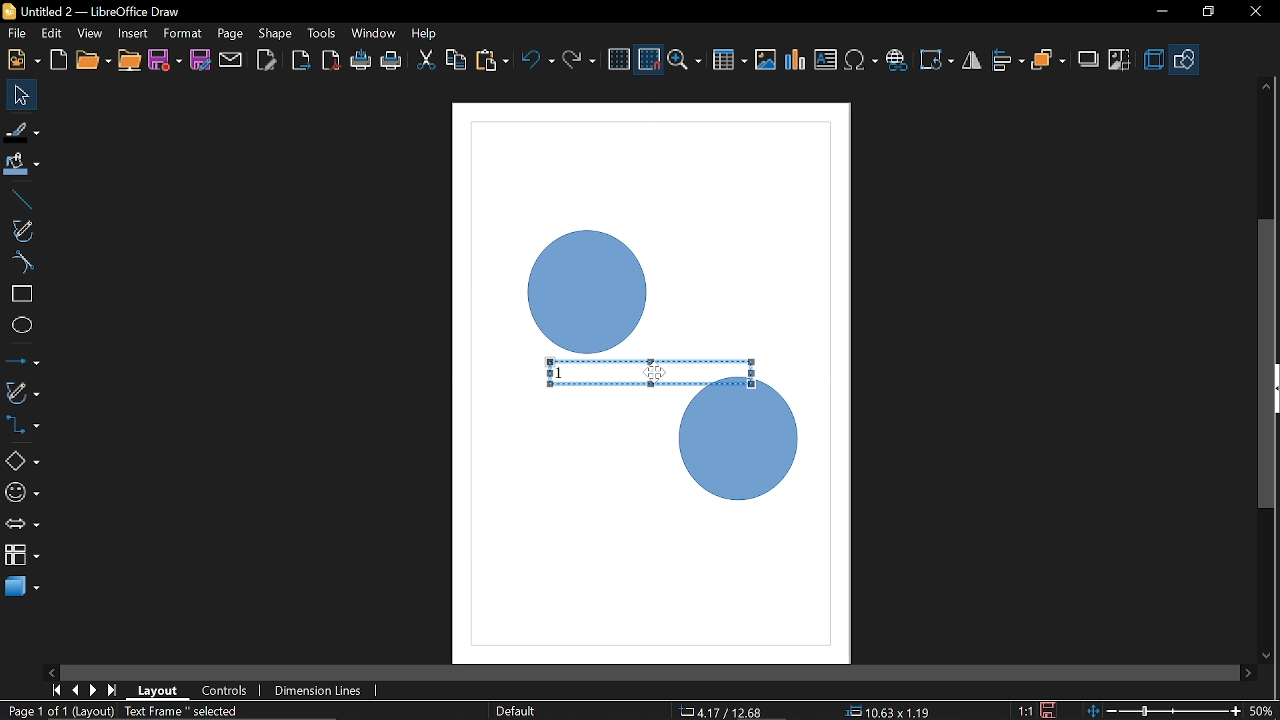  I want to click on Edit, so click(53, 34).